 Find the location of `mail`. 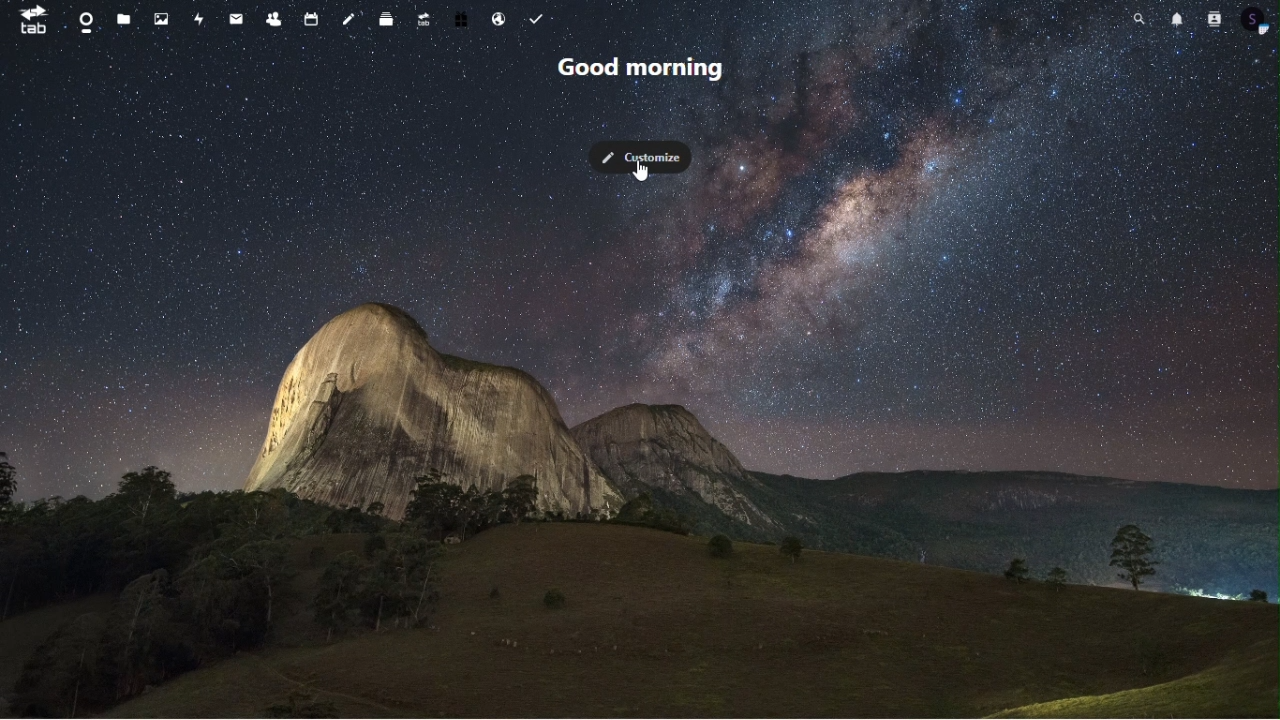

mail is located at coordinates (233, 20).